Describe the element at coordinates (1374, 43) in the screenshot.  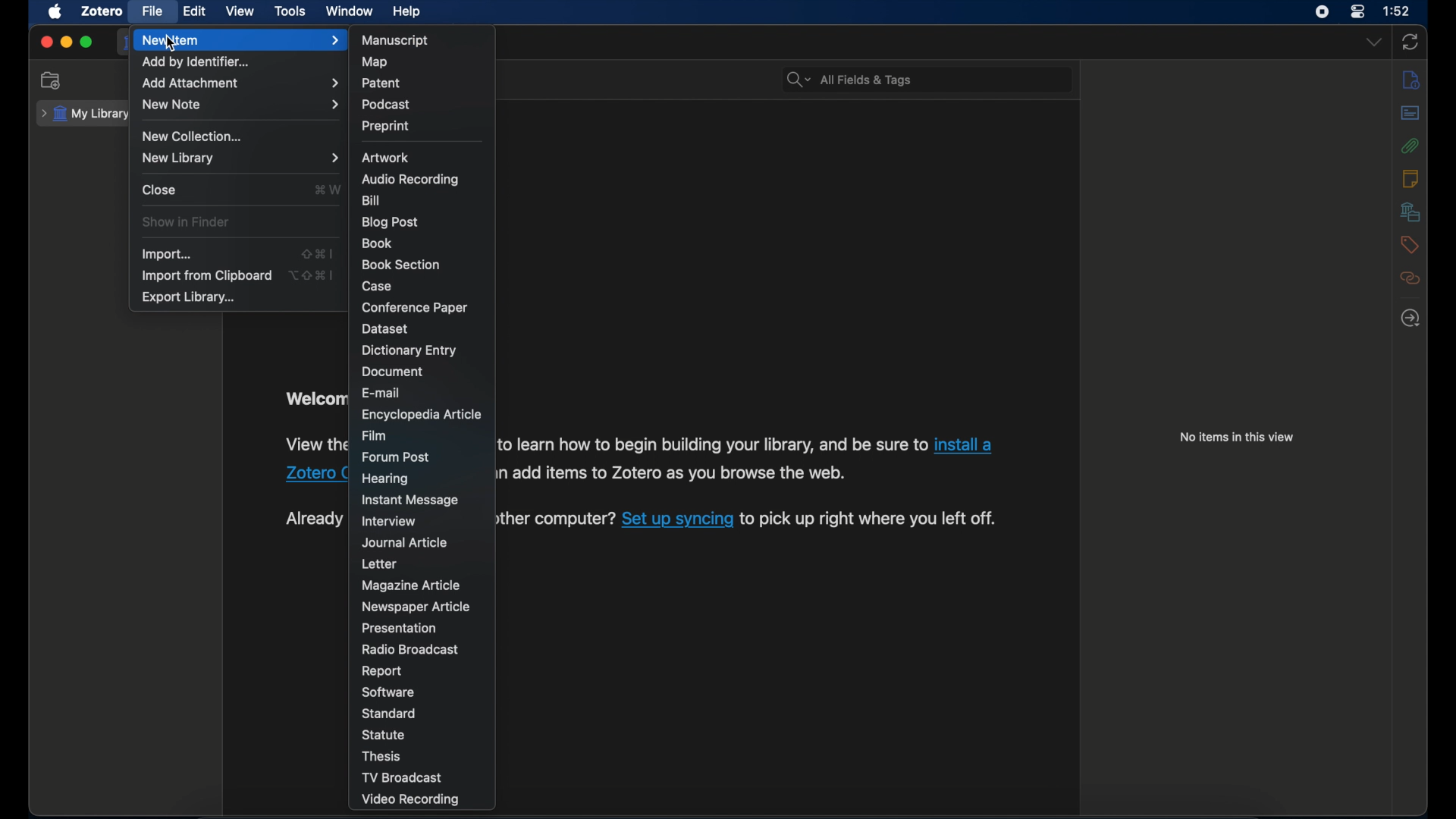
I see `dropdown` at that location.